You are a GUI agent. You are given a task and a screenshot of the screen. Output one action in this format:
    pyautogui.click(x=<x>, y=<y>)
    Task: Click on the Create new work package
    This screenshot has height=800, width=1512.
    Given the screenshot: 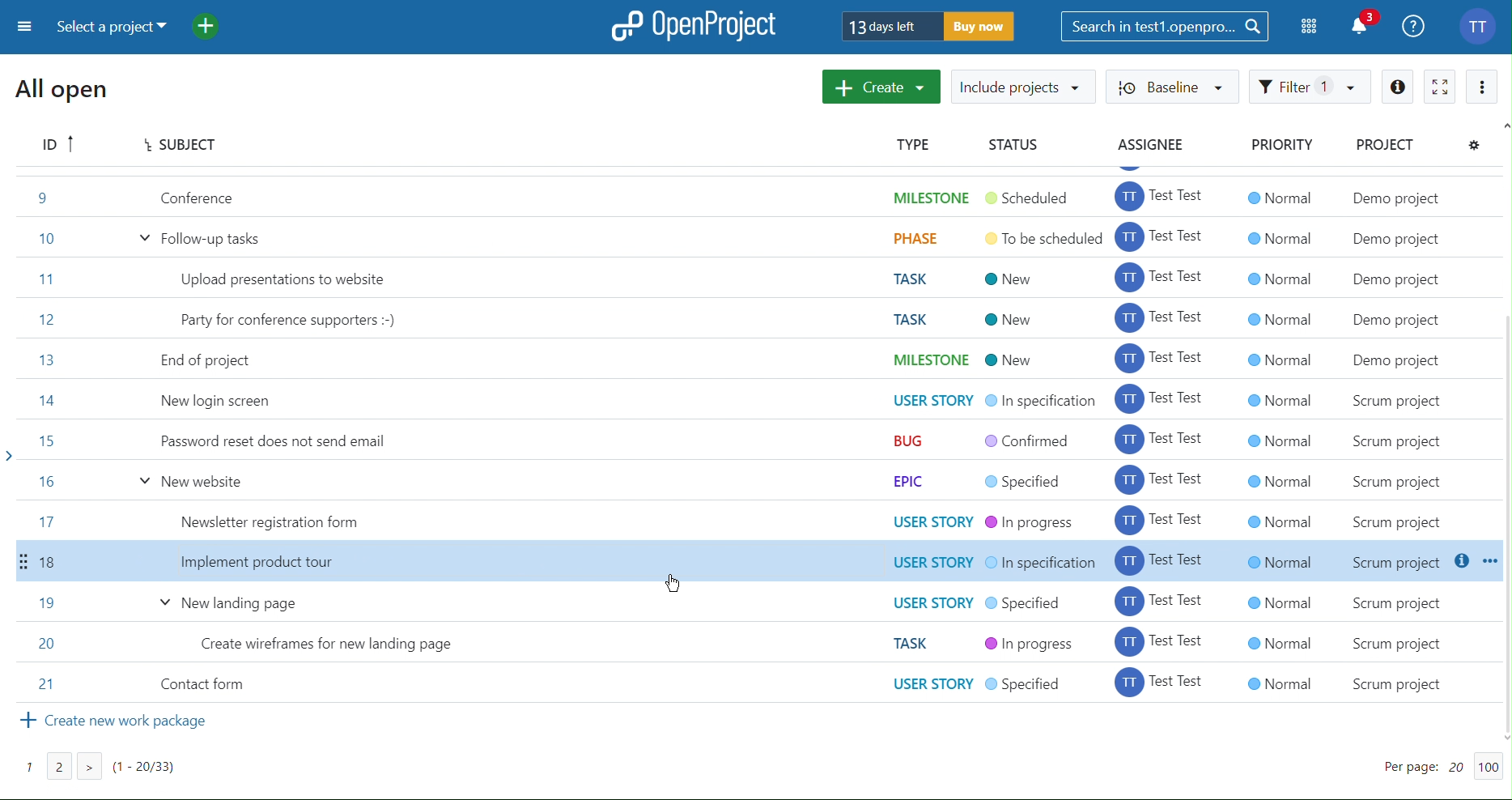 What is the action you would take?
    pyautogui.click(x=119, y=727)
    